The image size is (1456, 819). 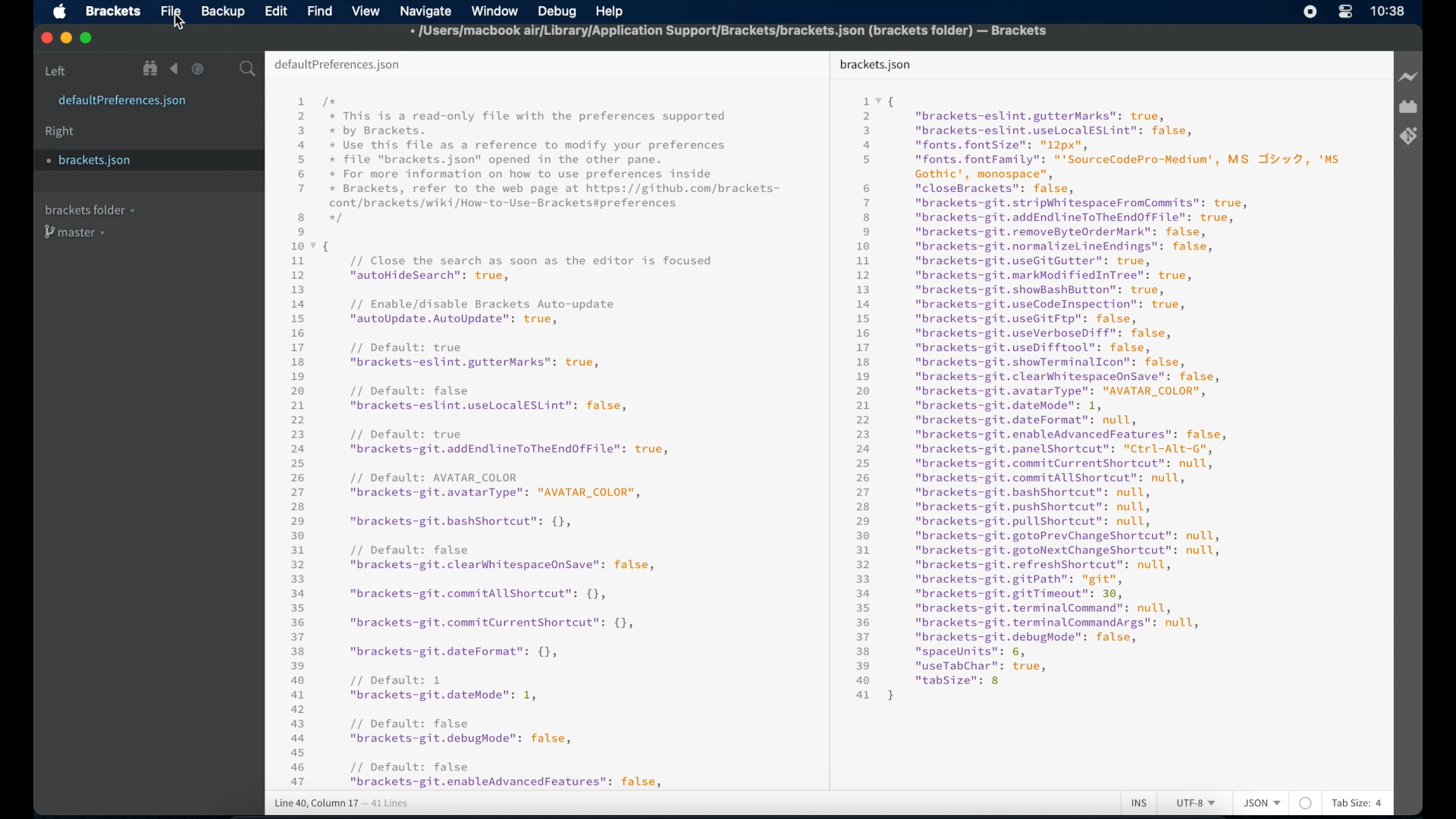 I want to click on split the editor vertical or horizontal, so click(x=222, y=70).